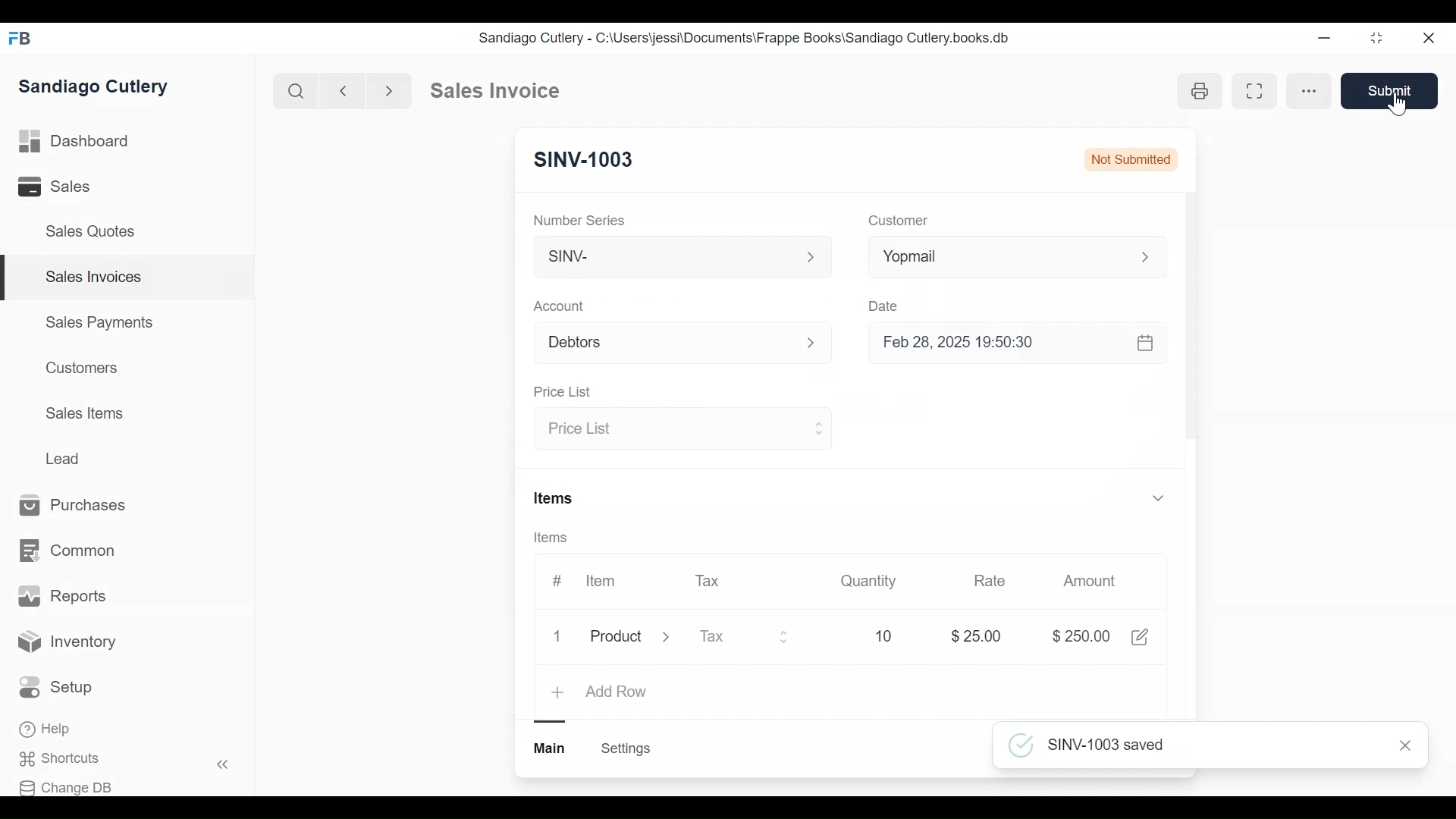 The width and height of the screenshot is (1456, 819). What do you see at coordinates (62, 596) in the screenshot?
I see `Reports` at bounding box center [62, 596].